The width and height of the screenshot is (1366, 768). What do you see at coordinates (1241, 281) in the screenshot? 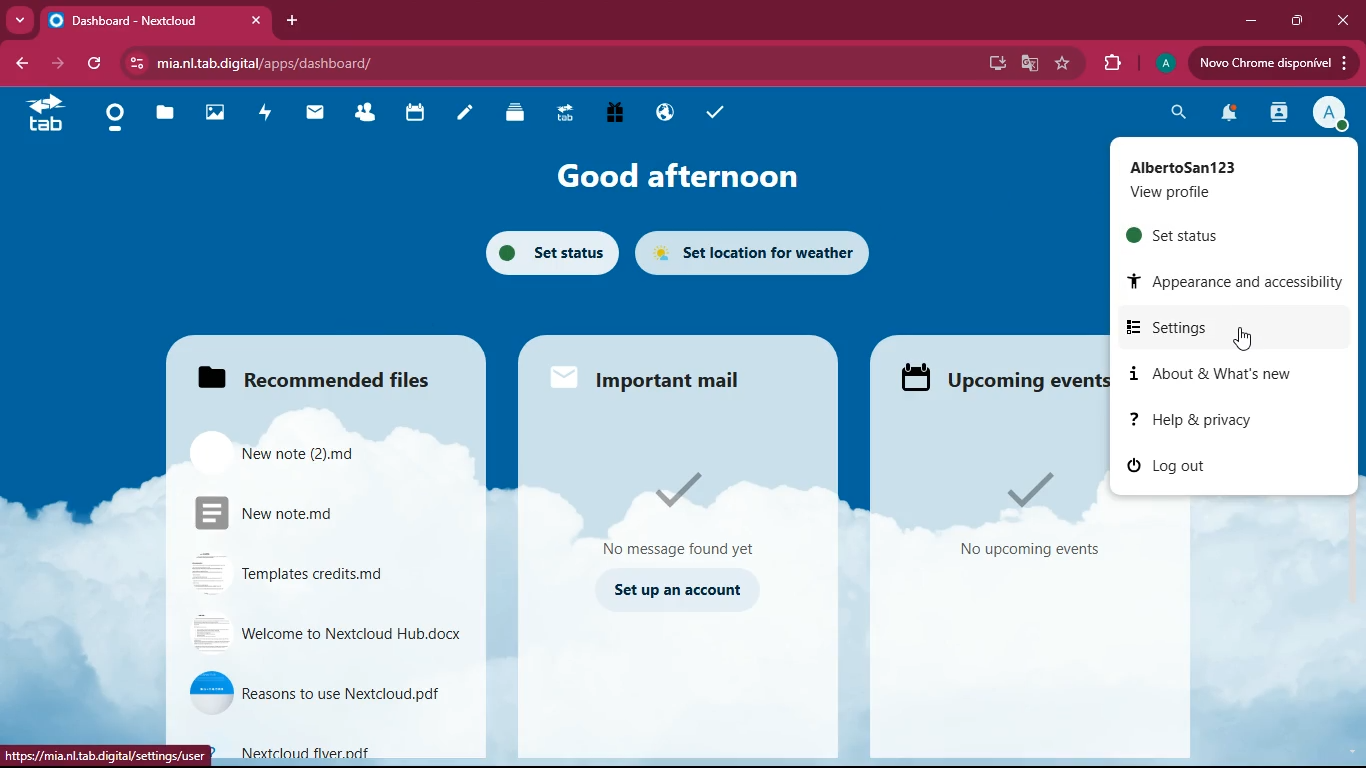
I see `appearance` at bounding box center [1241, 281].